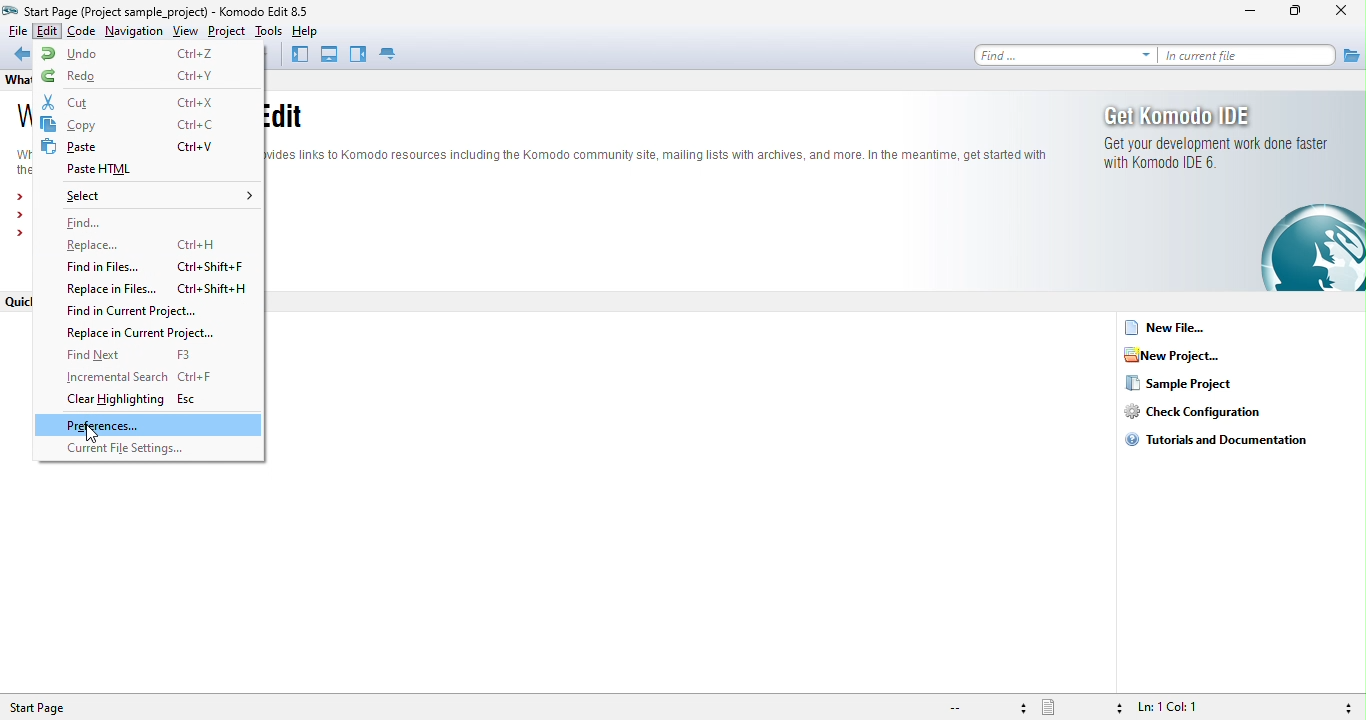 The width and height of the screenshot is (1366, 720). What do you see at coordinates (16, 31) in the screenshot?
I see `file` at bounding box center [16, 31].